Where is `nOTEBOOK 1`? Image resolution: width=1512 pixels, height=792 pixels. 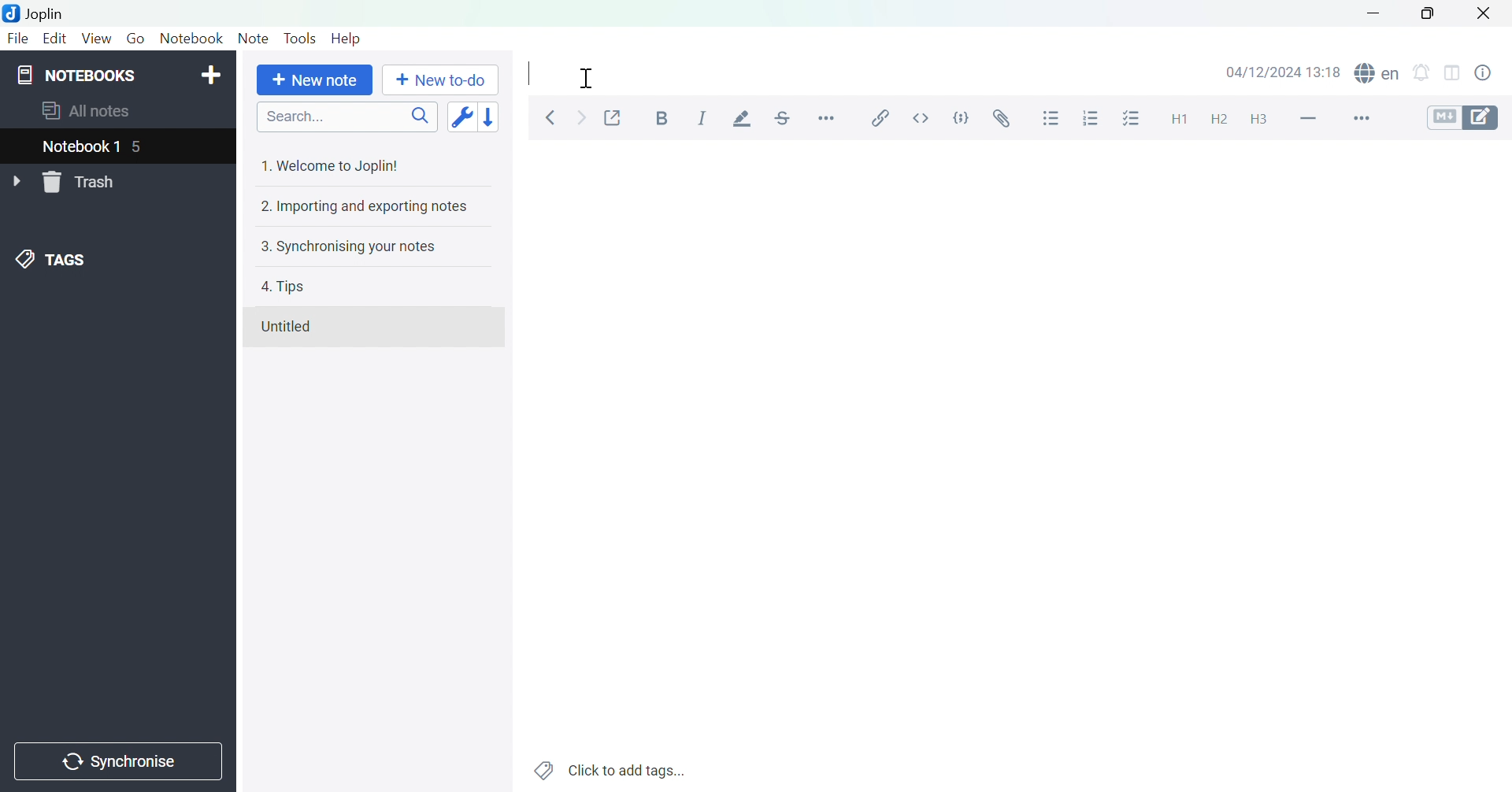
nOTEBOOK 1 is located at coordinates (83, 146).